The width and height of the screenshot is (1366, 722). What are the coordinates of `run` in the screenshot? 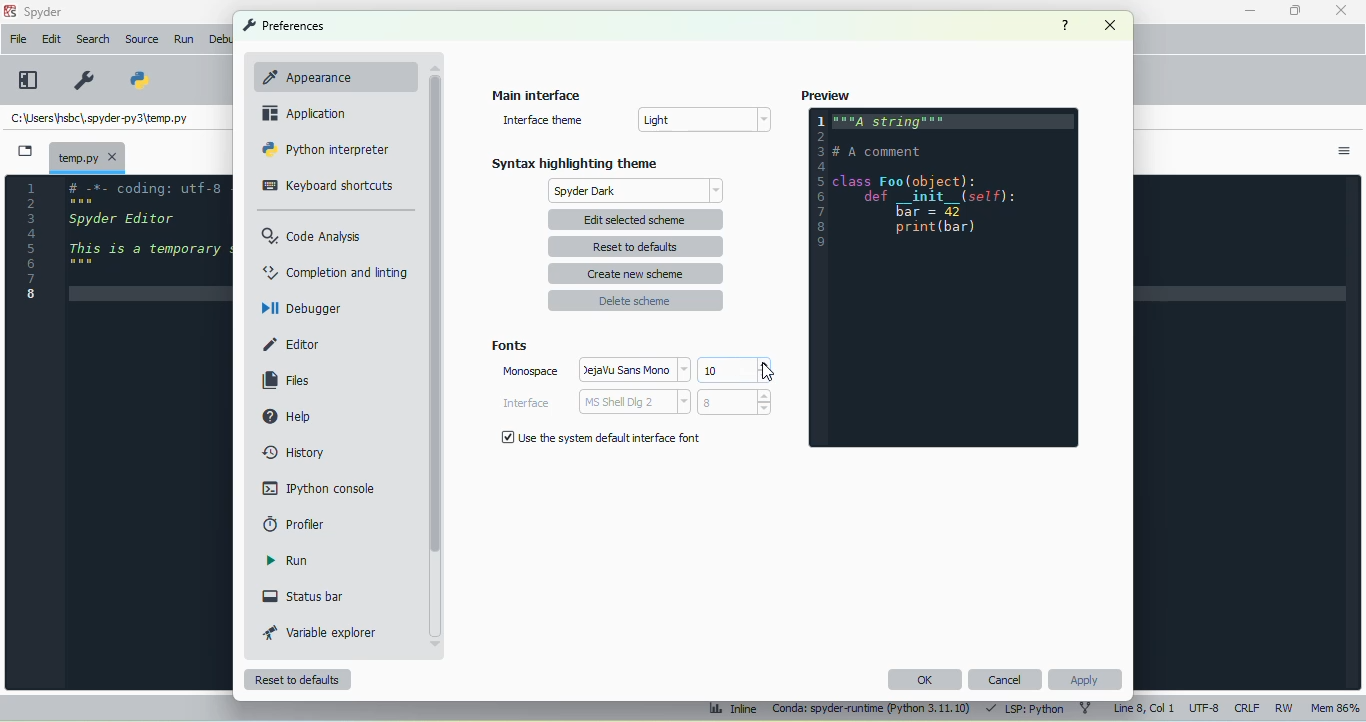 It's located at (186, 40).